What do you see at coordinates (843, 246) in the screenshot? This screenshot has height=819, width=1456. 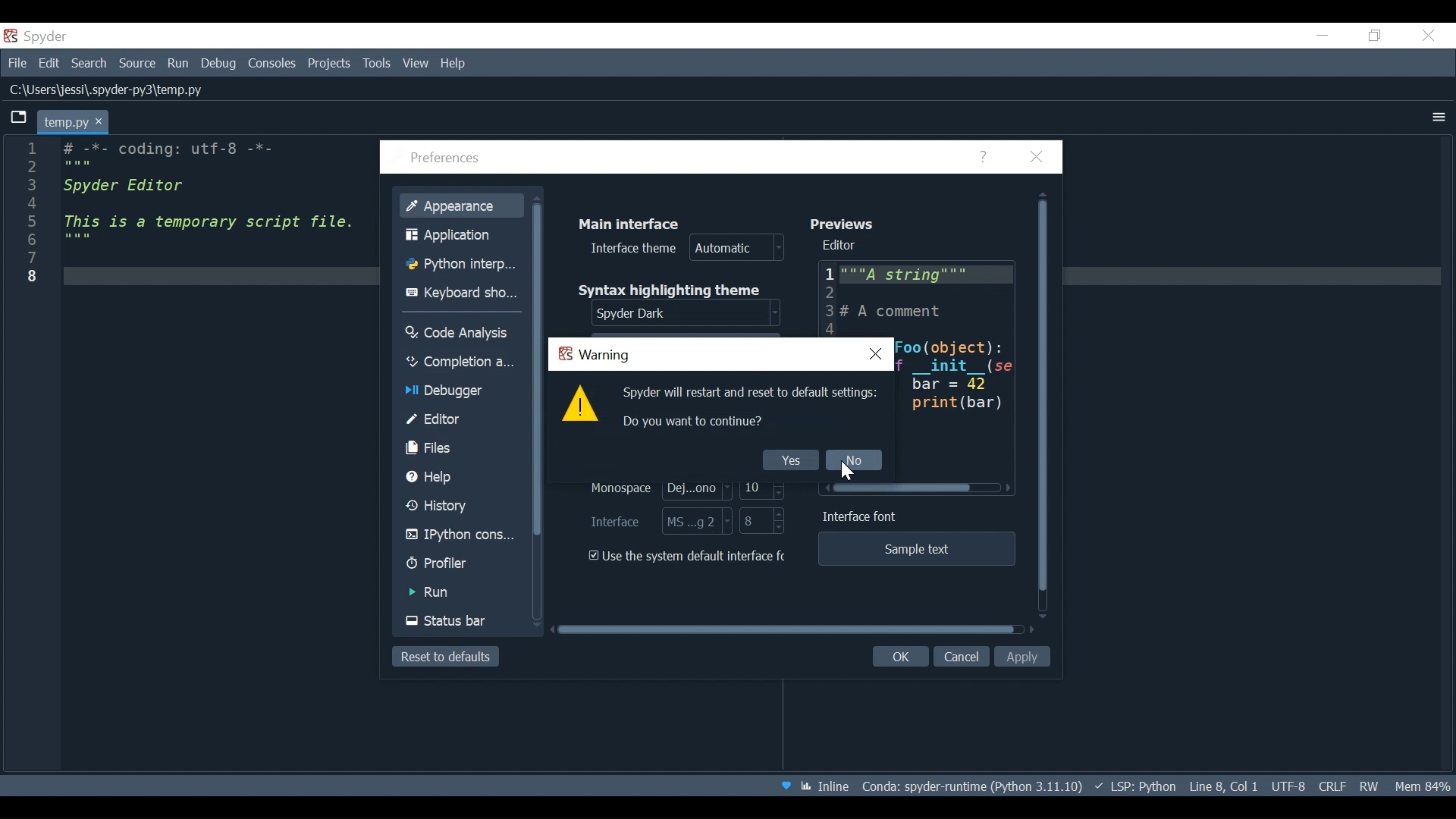 I see `Editor` at bounding box center [843, 246].